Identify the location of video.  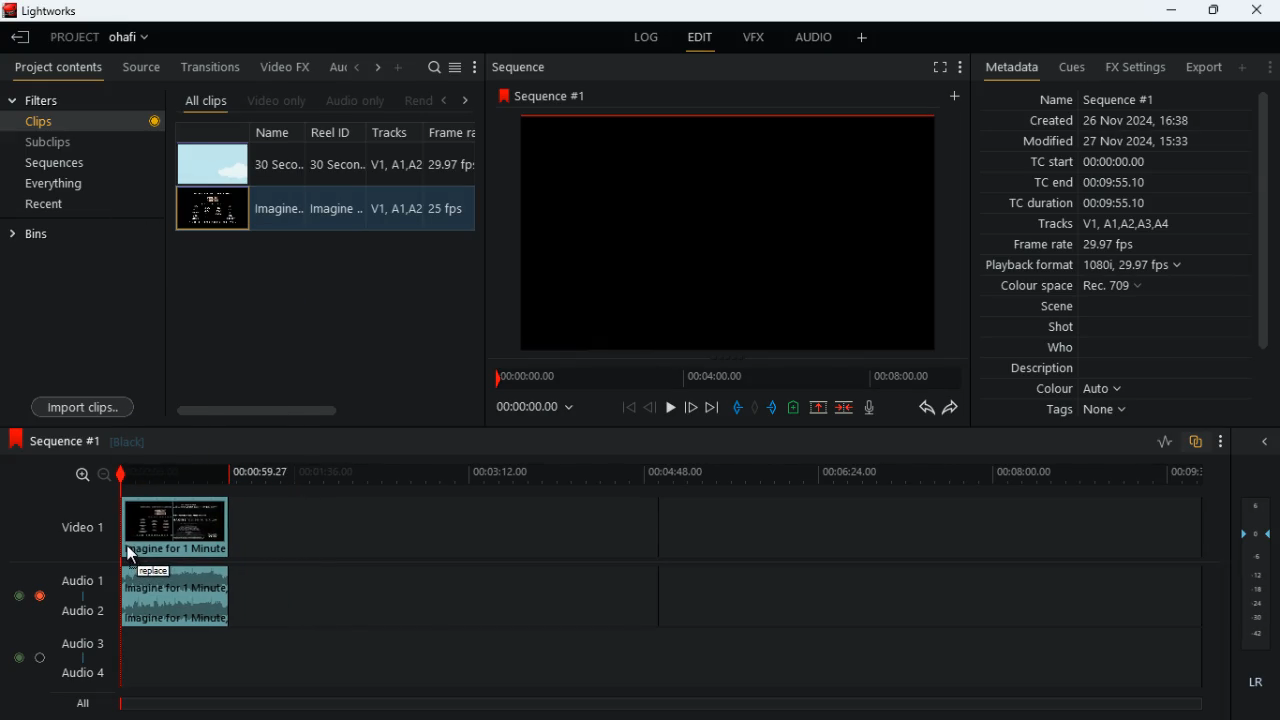
(213, 162).